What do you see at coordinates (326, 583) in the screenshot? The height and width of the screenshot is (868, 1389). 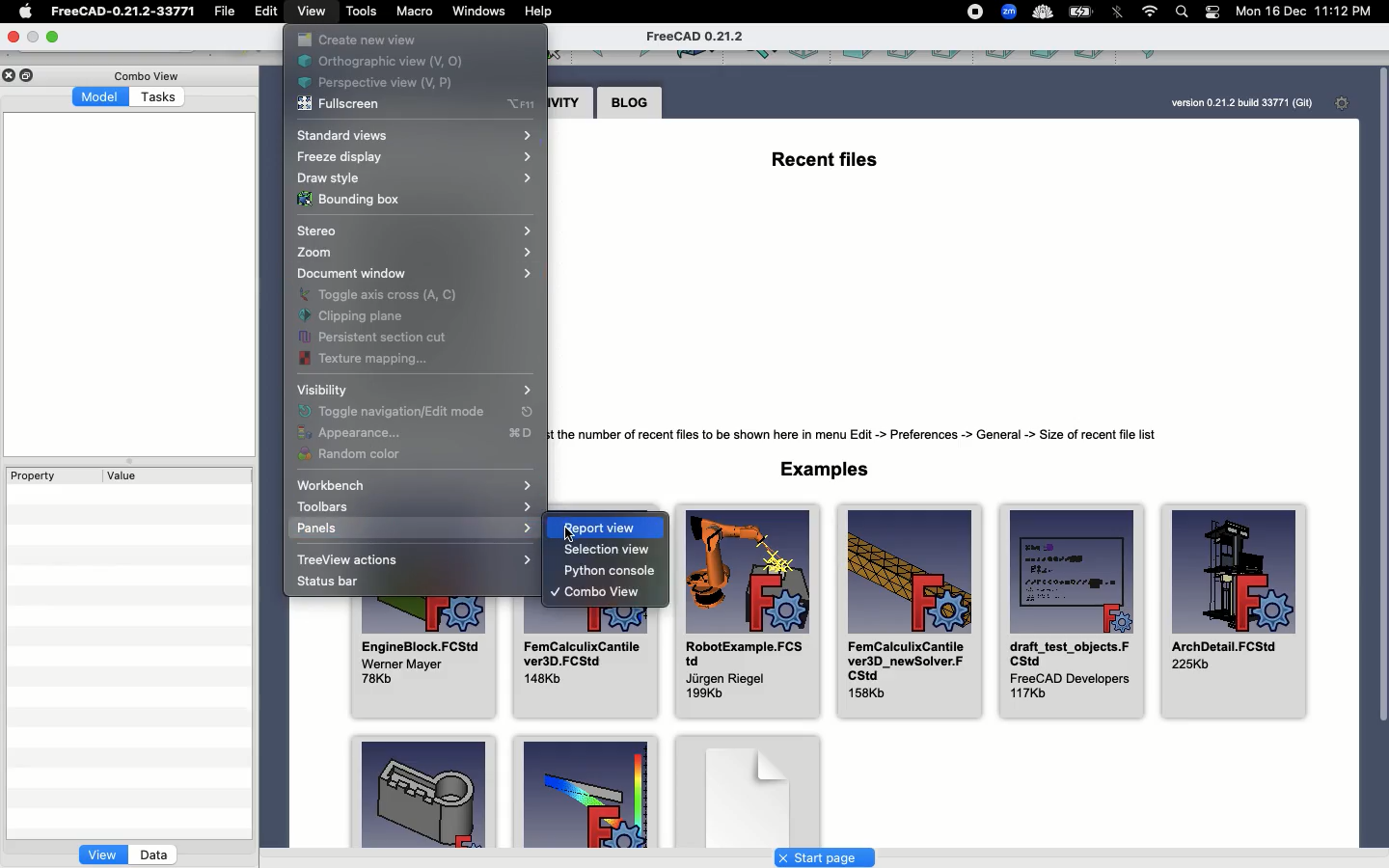 I see `Status bar` at bounding box center [326, 583].